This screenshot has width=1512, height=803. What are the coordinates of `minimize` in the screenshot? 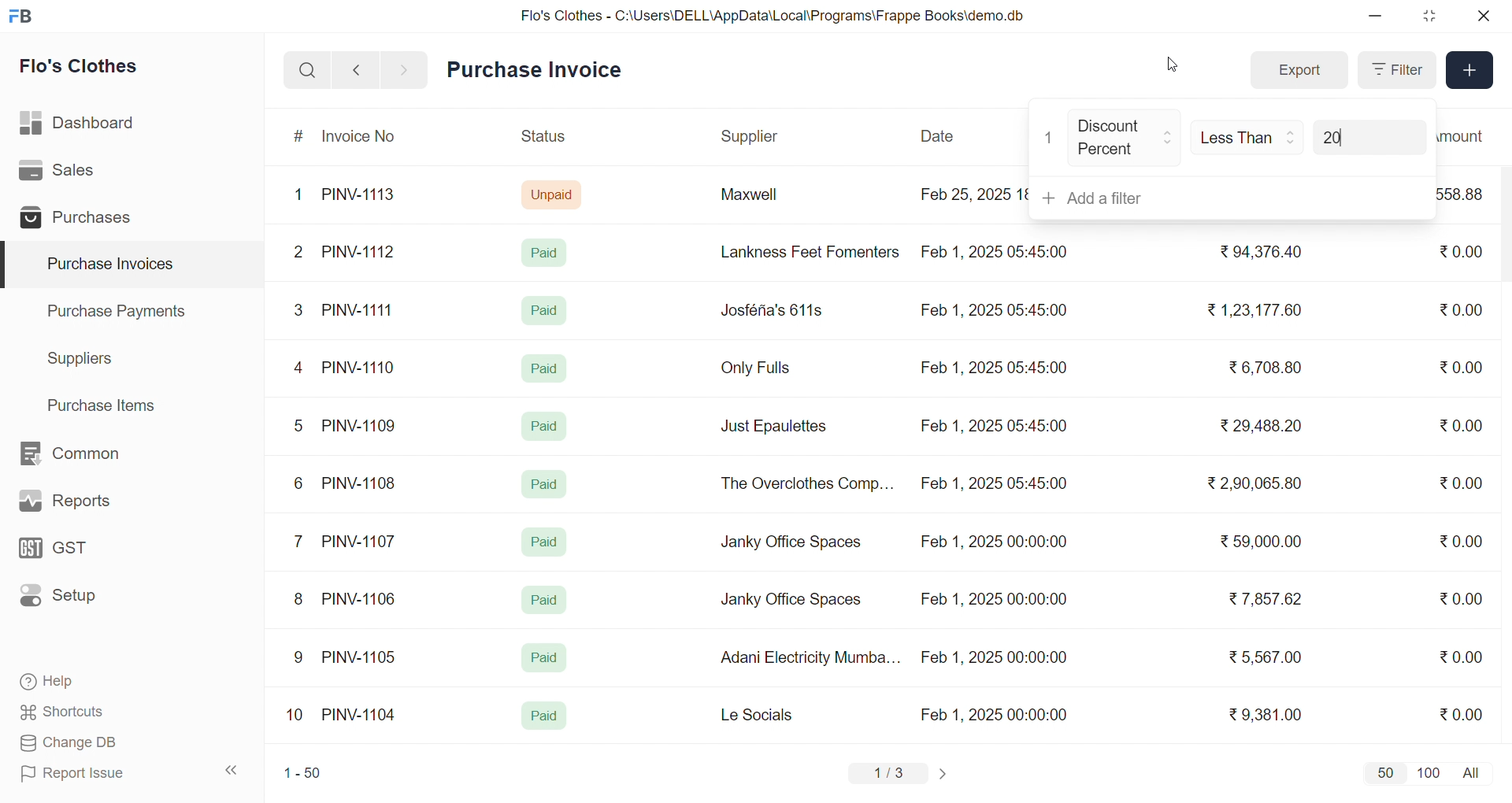 It's located at (1377, 17).